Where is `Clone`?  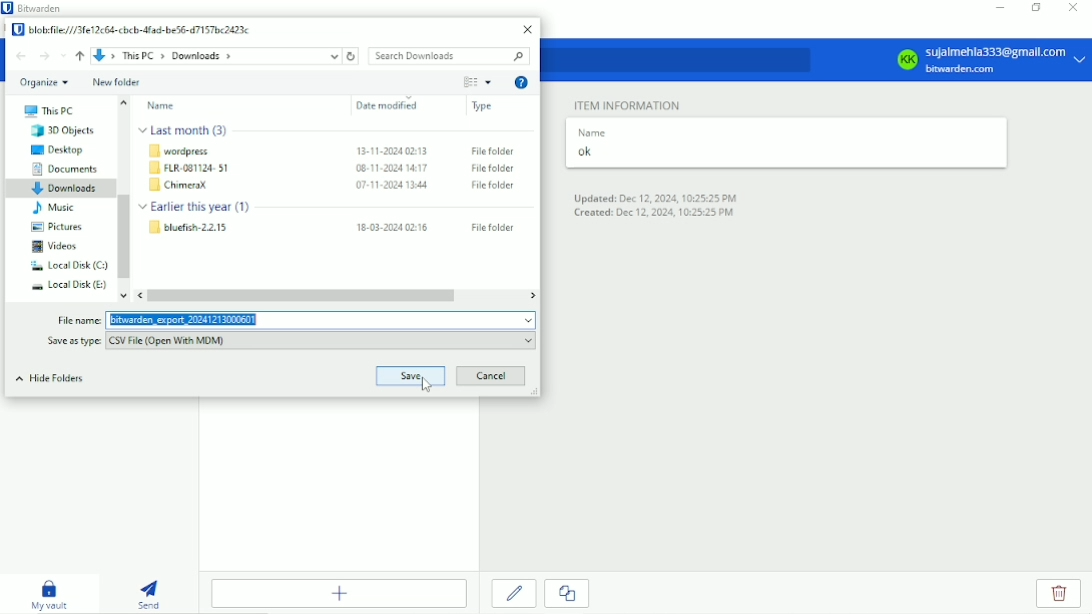
Clone is located at coordinates (566, 594).